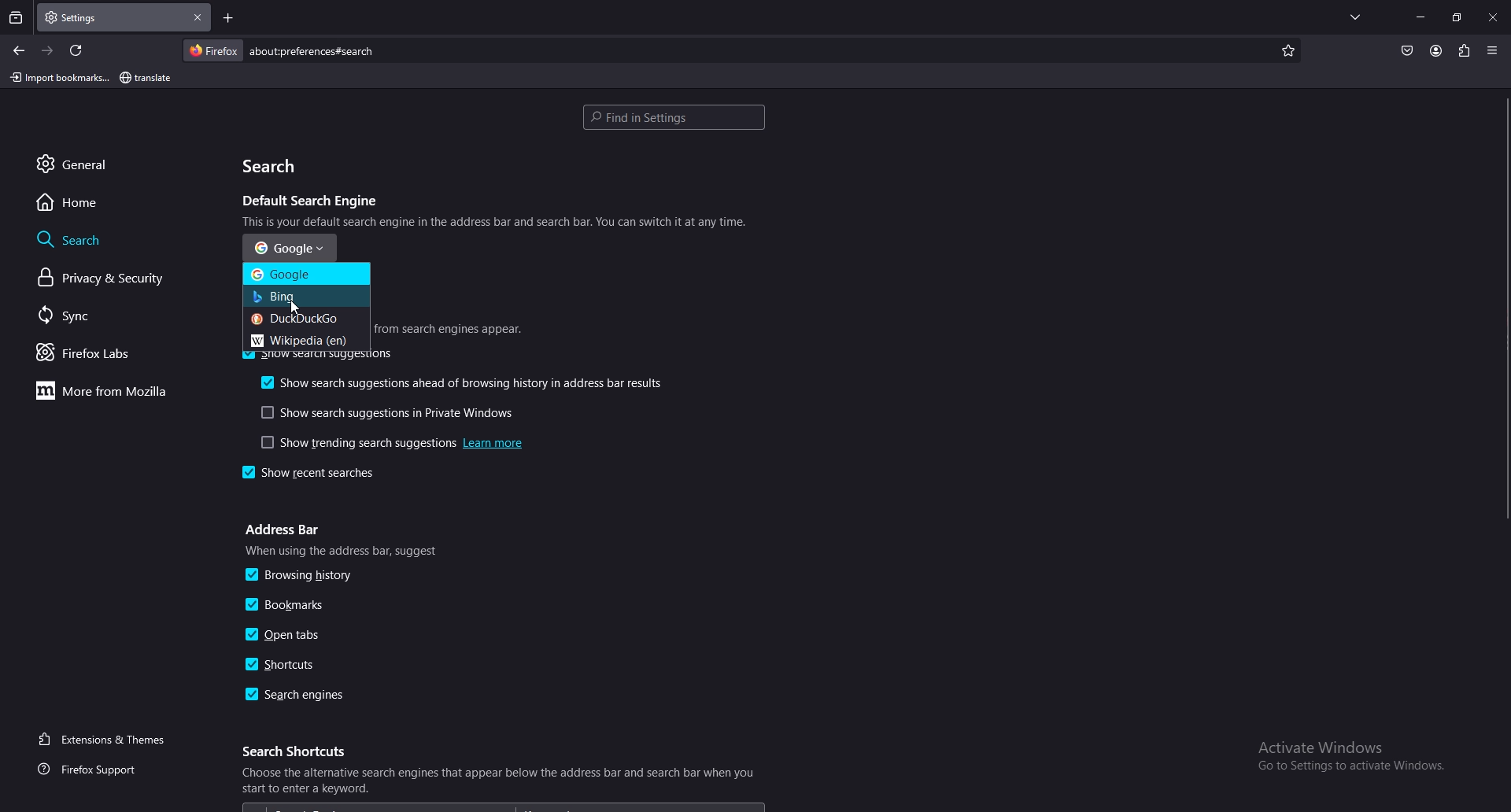 Image resolution: width=1511 pixels, height=812 pixels. What do you see at coordinates (305, 574) in the screenshot?
I see `browsing history` at bounding box center [305, 574].